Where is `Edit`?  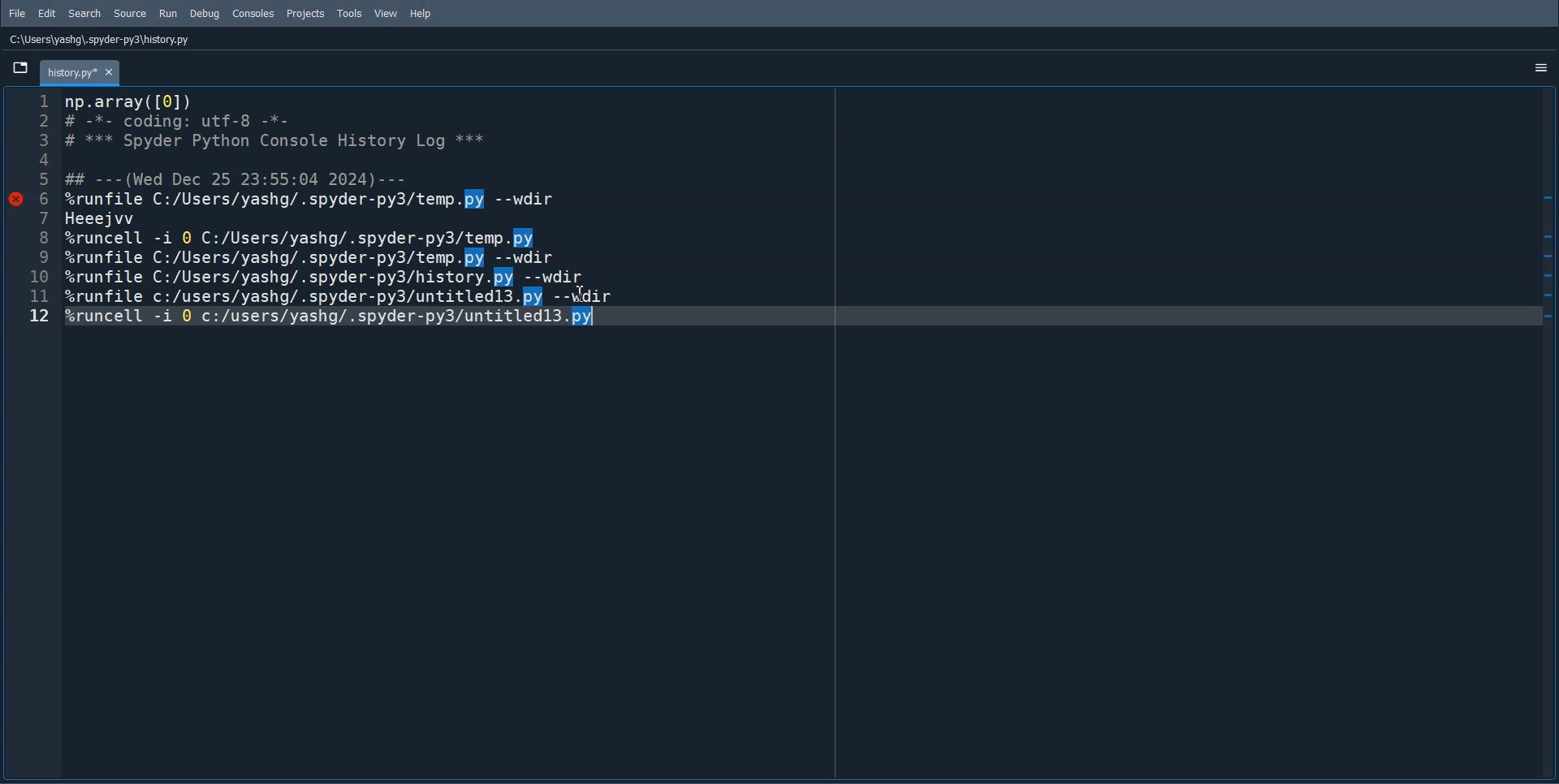
Edit is located at coordinates (47, 13).